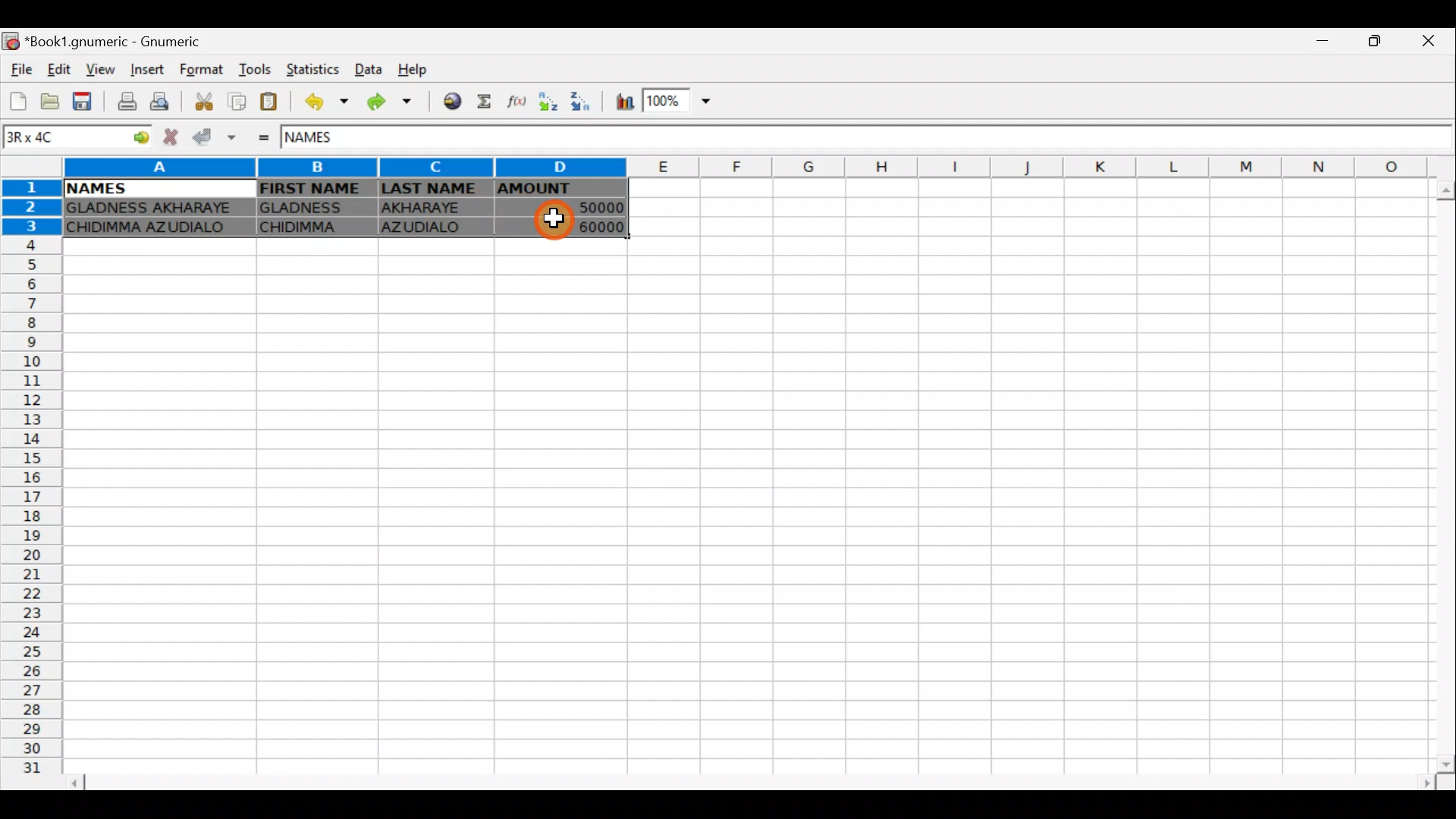 The width and height of the screenshot is (1456, 819). I want to click on Minimize, so click(1323, 45).